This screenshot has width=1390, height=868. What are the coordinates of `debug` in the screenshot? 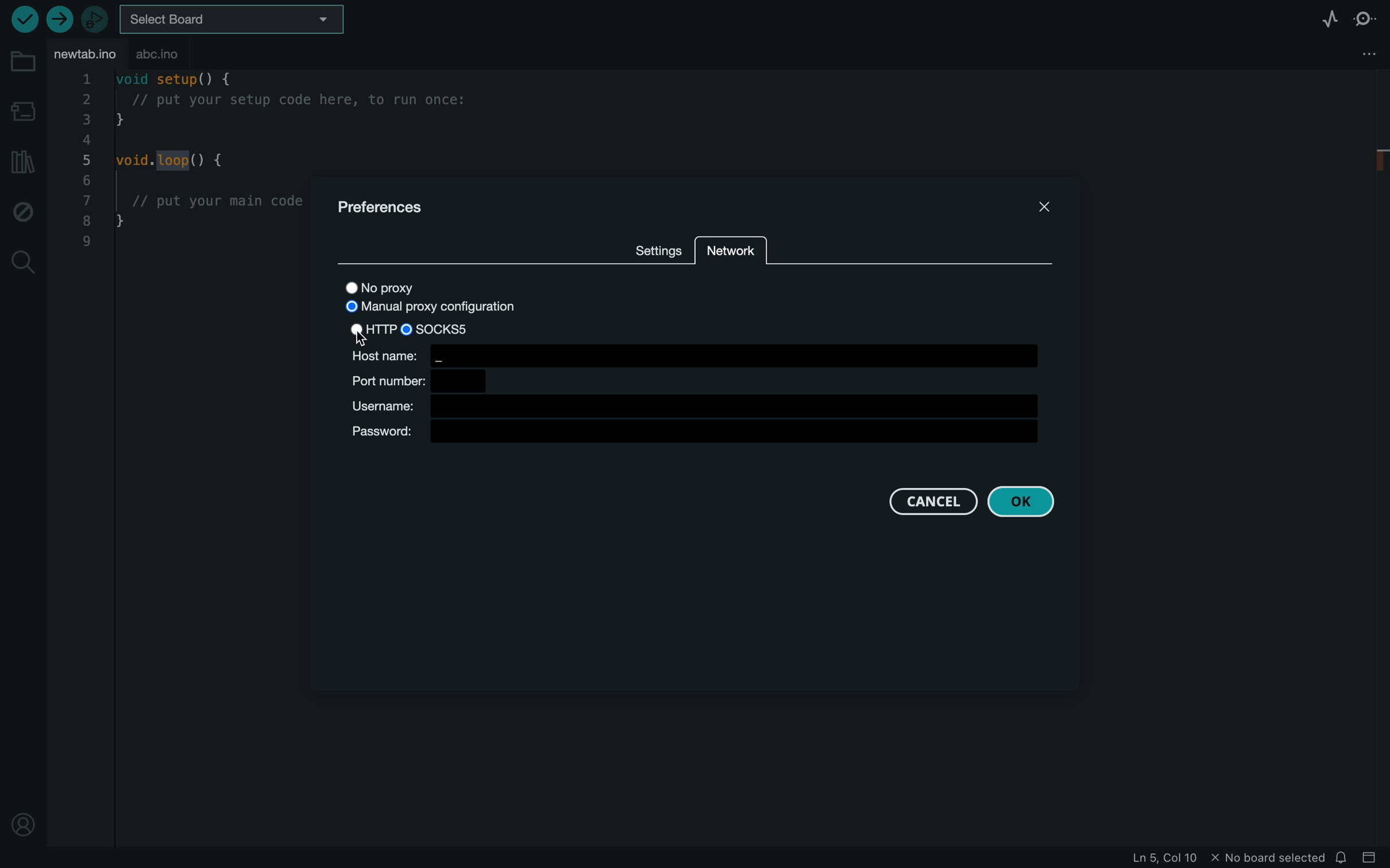 It's located at (21, 212).